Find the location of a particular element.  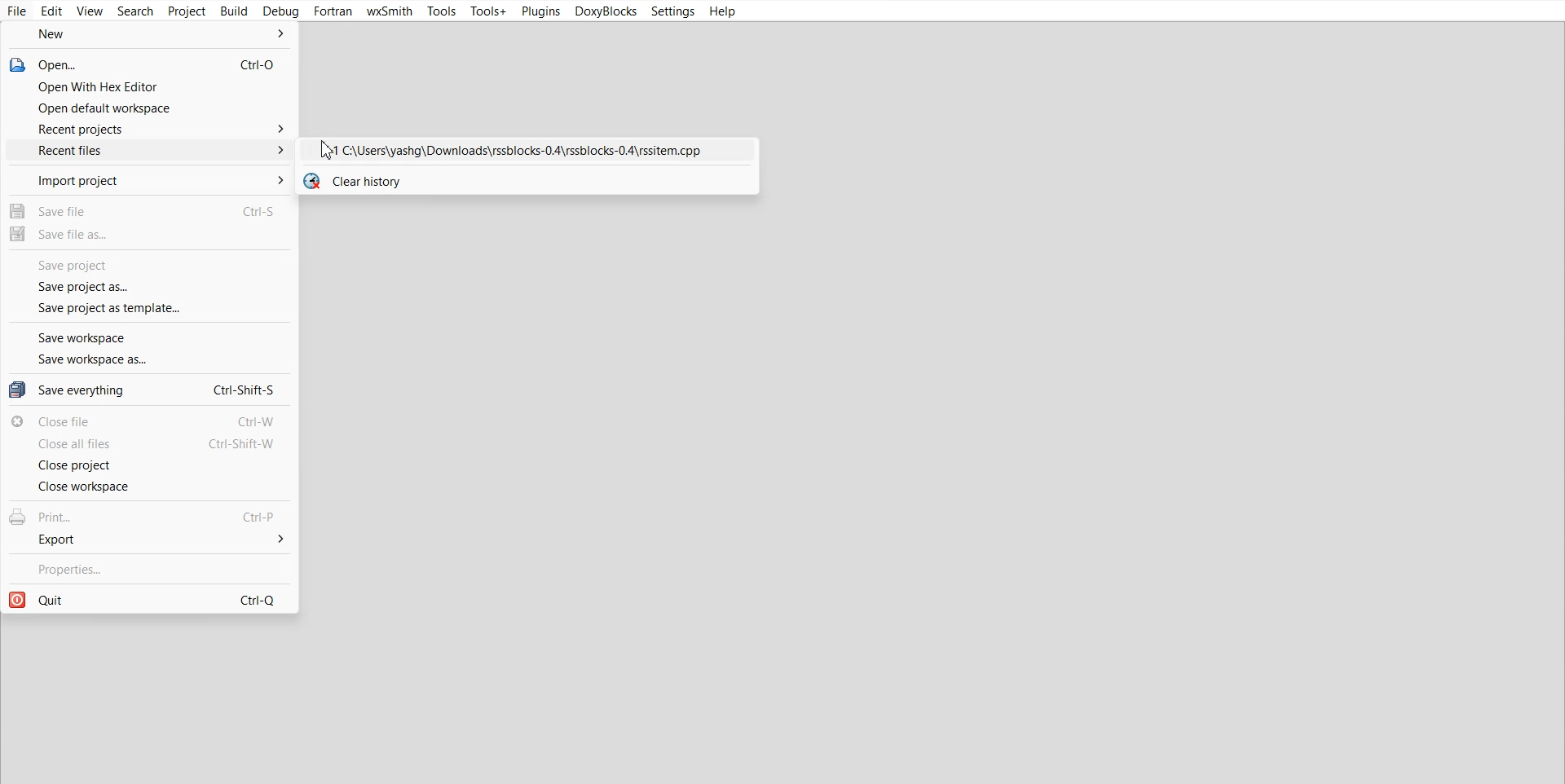

Close all files is located at coordinates (150, 444).